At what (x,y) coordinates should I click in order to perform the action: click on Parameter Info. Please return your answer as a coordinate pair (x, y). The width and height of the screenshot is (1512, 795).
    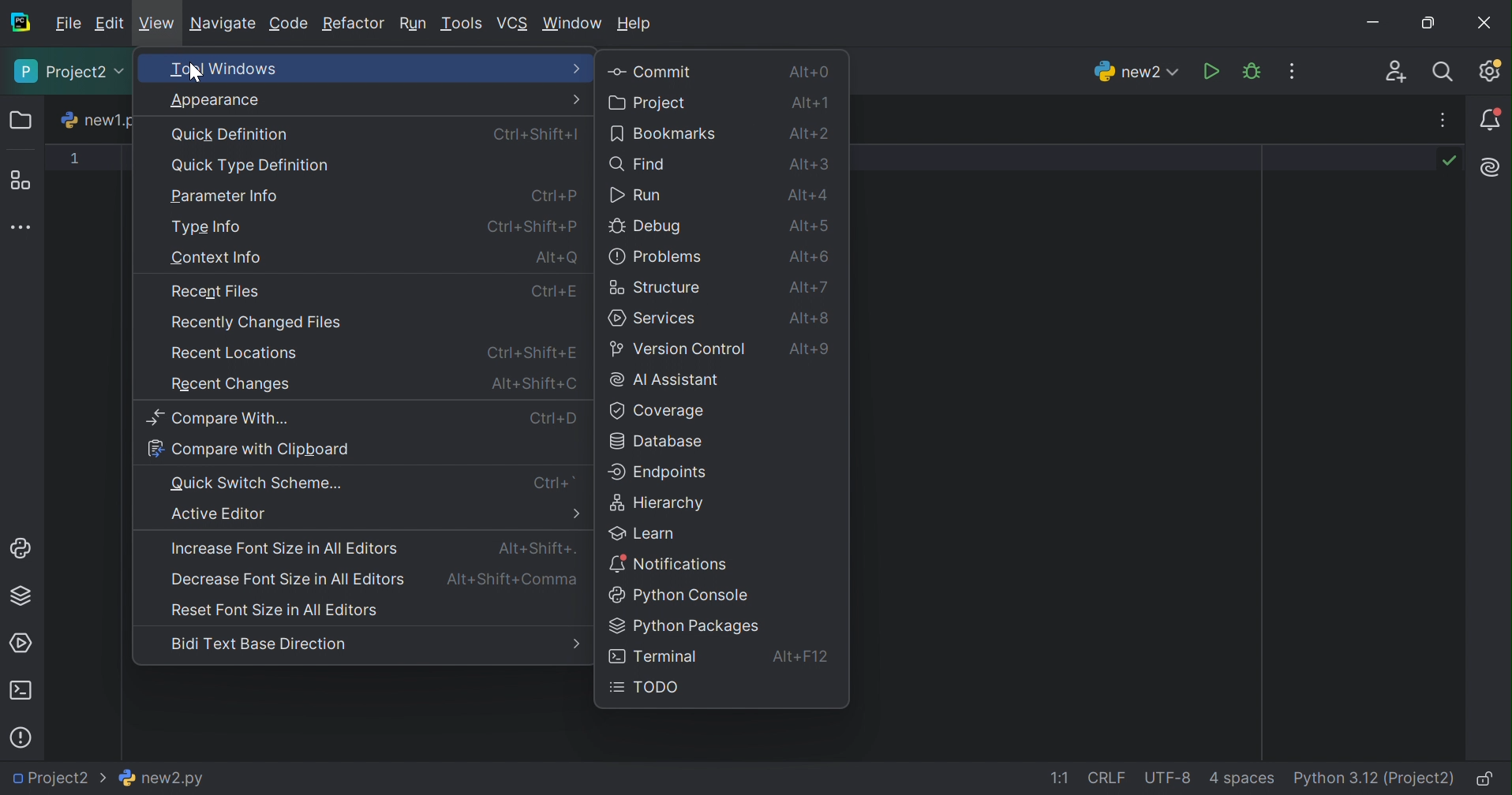
    Looking at the image, I should click on (223, 196).